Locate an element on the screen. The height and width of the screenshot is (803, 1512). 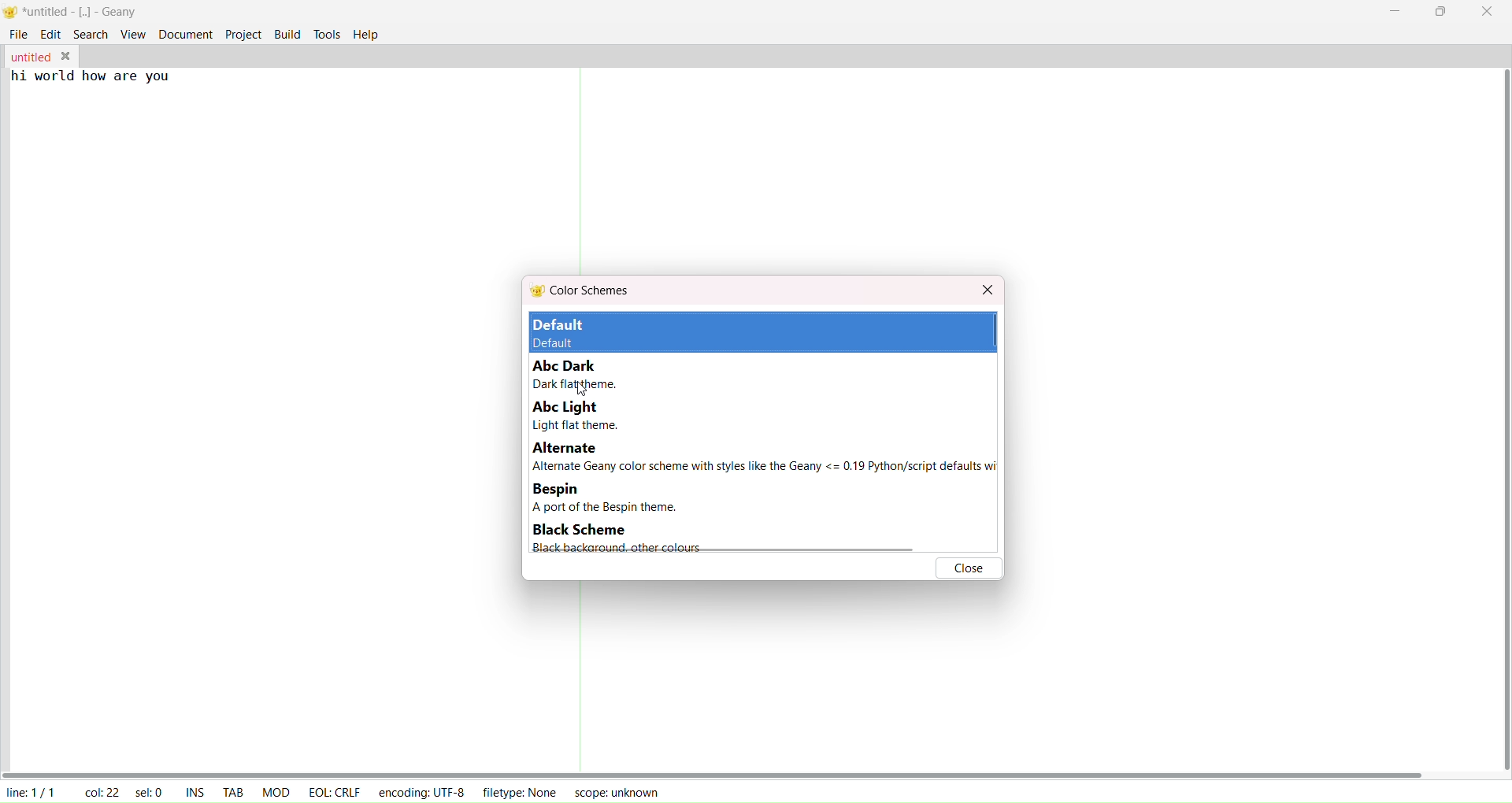
help is located at coordinates (367, 35).